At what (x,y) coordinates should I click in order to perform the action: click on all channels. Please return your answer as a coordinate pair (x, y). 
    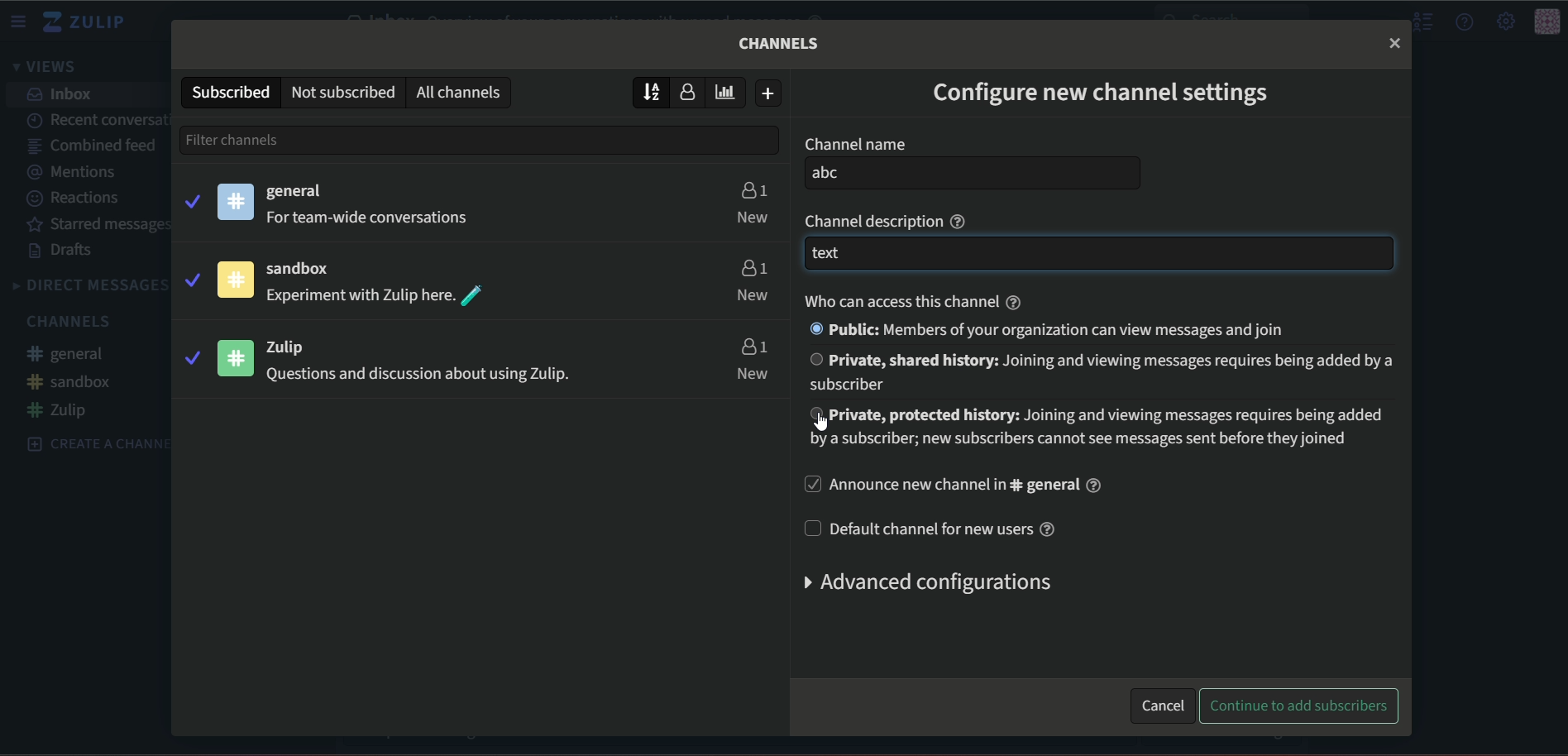
    Looking at the image, I should click on (462, 92).